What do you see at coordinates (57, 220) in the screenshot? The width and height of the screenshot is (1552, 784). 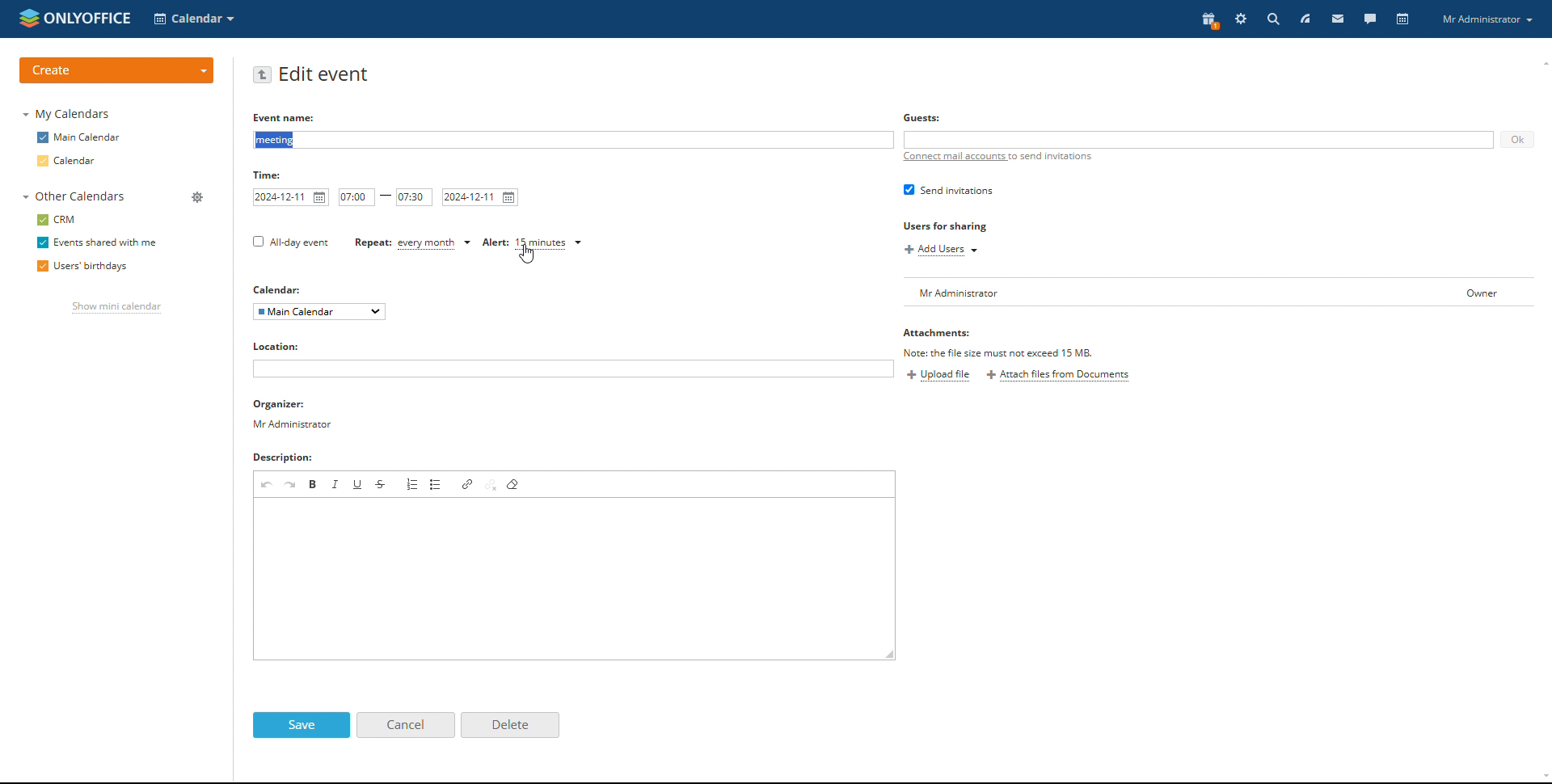 I see `crm` at bounding box center [57, 220].